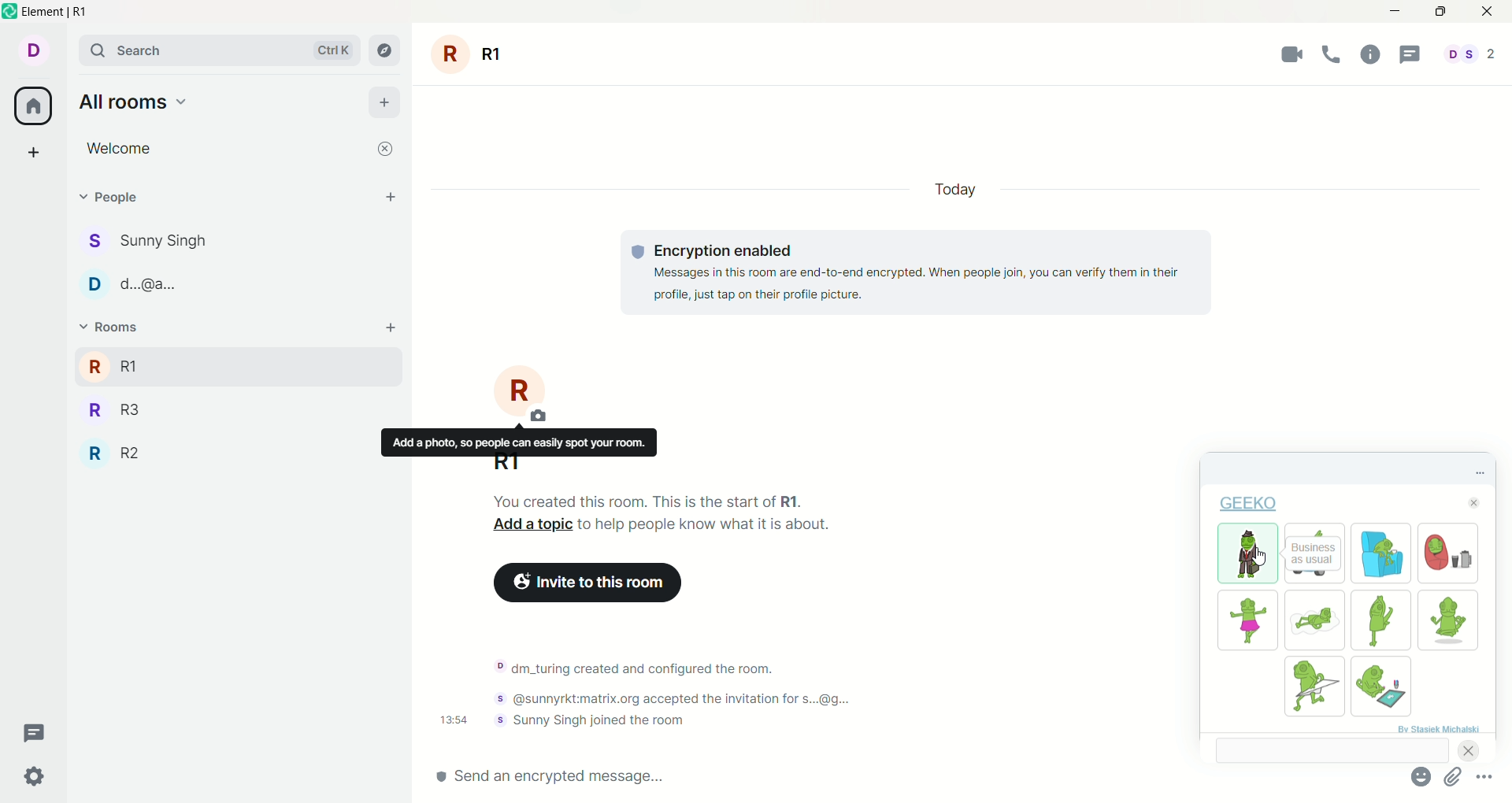 The height and width of the screenshot is (803, 1512). What do you see at coordinates (634, 668) in the screenshot?
I see `Notification` at bounding box center [634, 668].